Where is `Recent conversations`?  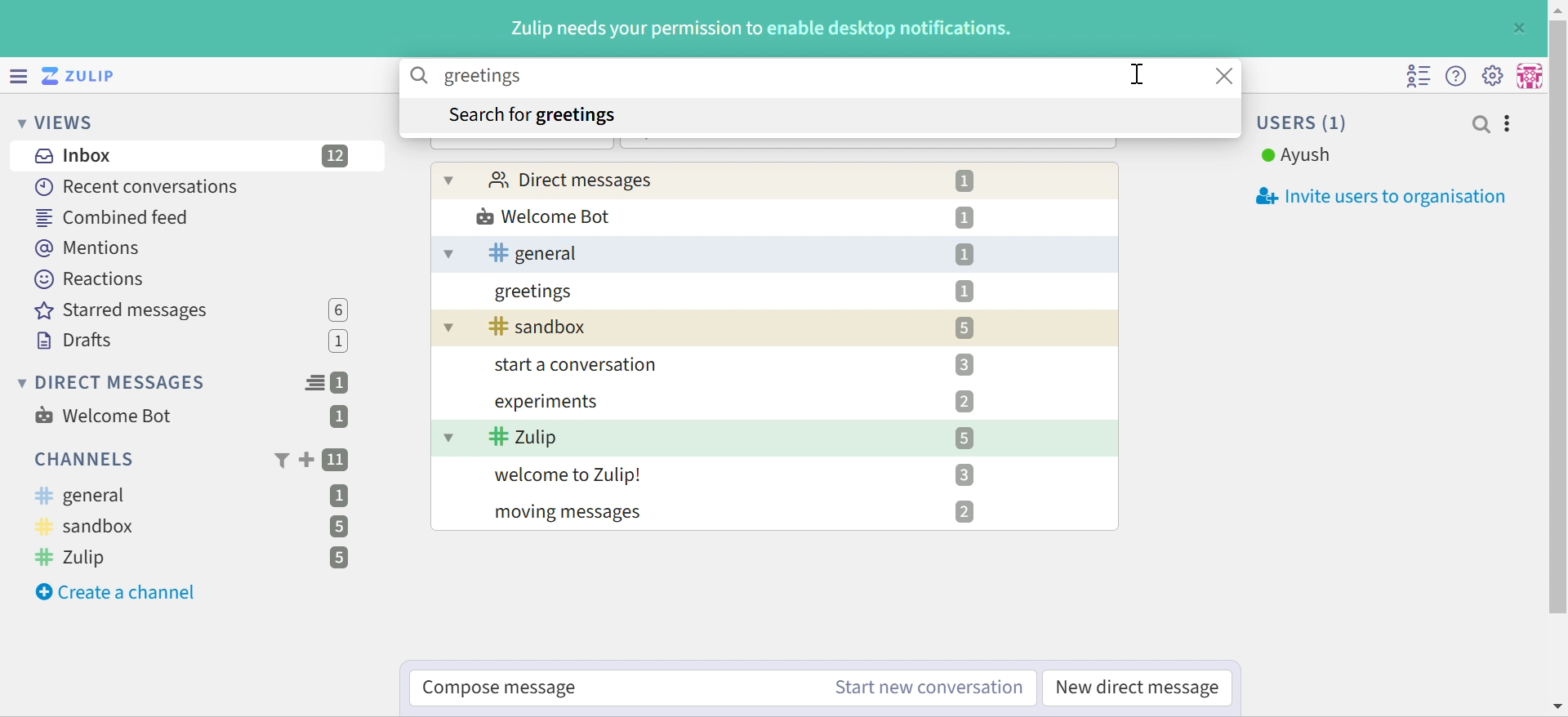 Recent conversations is located at coordinates (138, 186).